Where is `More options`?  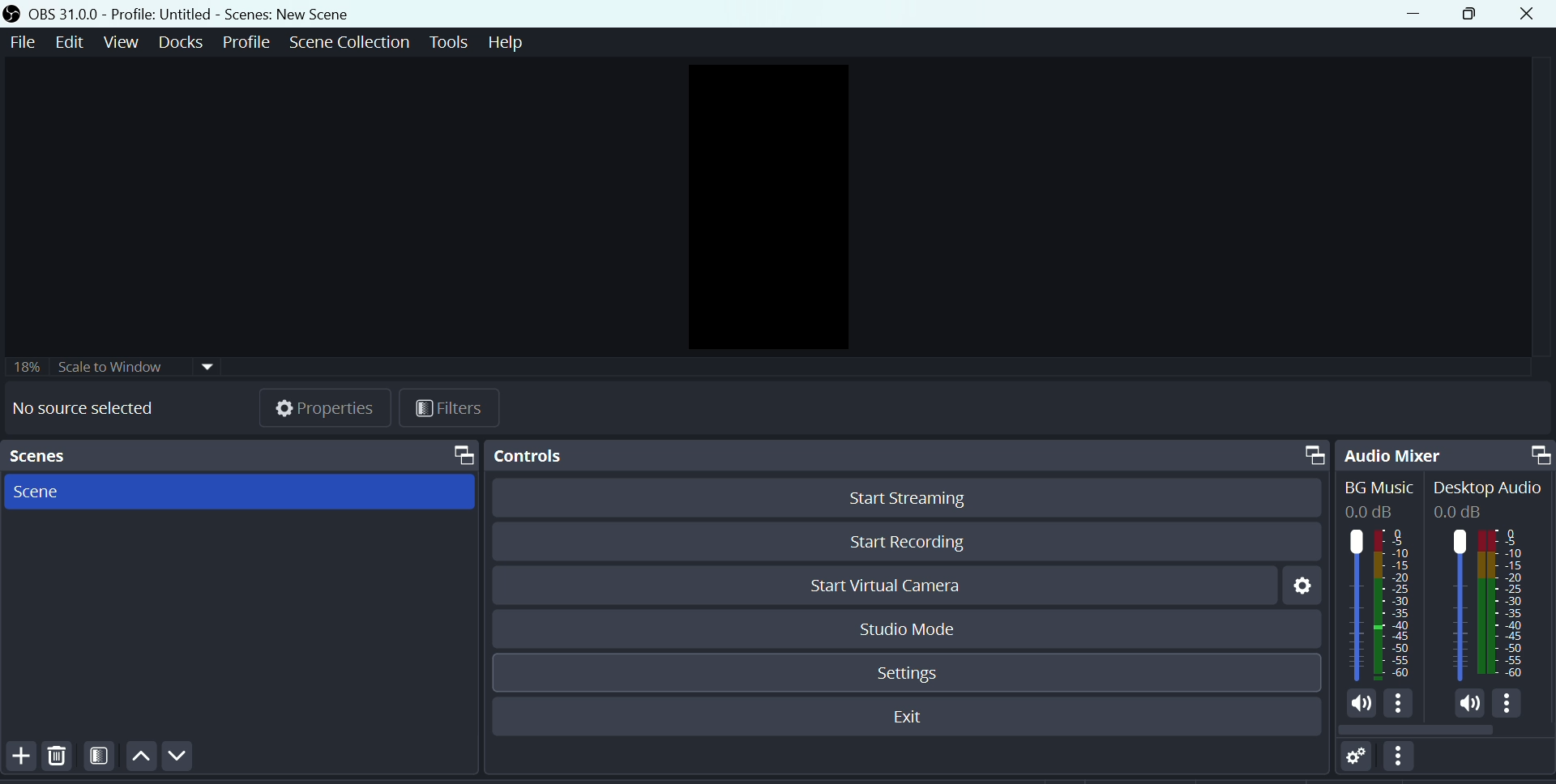 More options is located at coordinates (1404, 762).